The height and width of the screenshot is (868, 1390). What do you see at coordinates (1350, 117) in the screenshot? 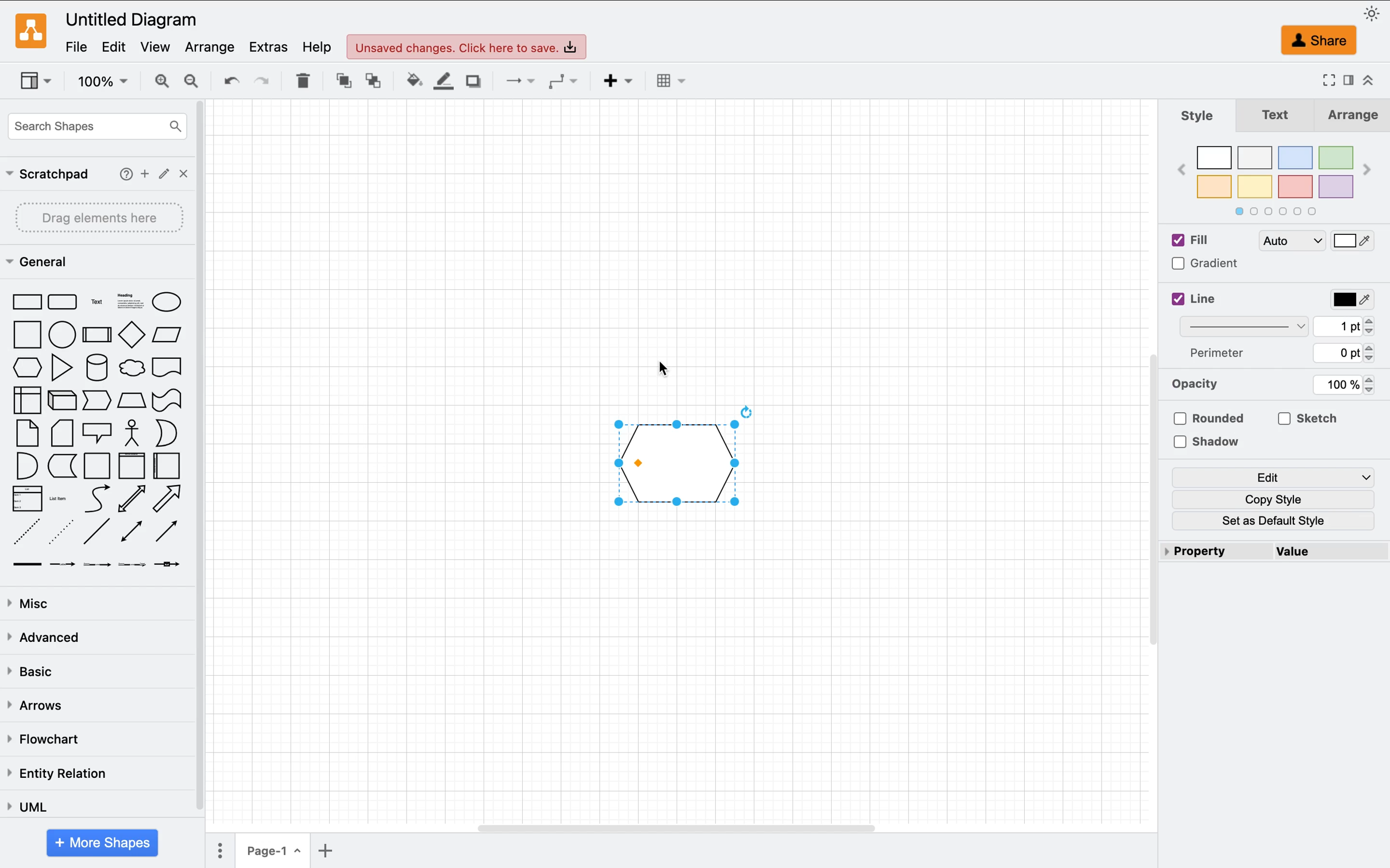
I see `Arrange` at bounding box center [1350, 117].